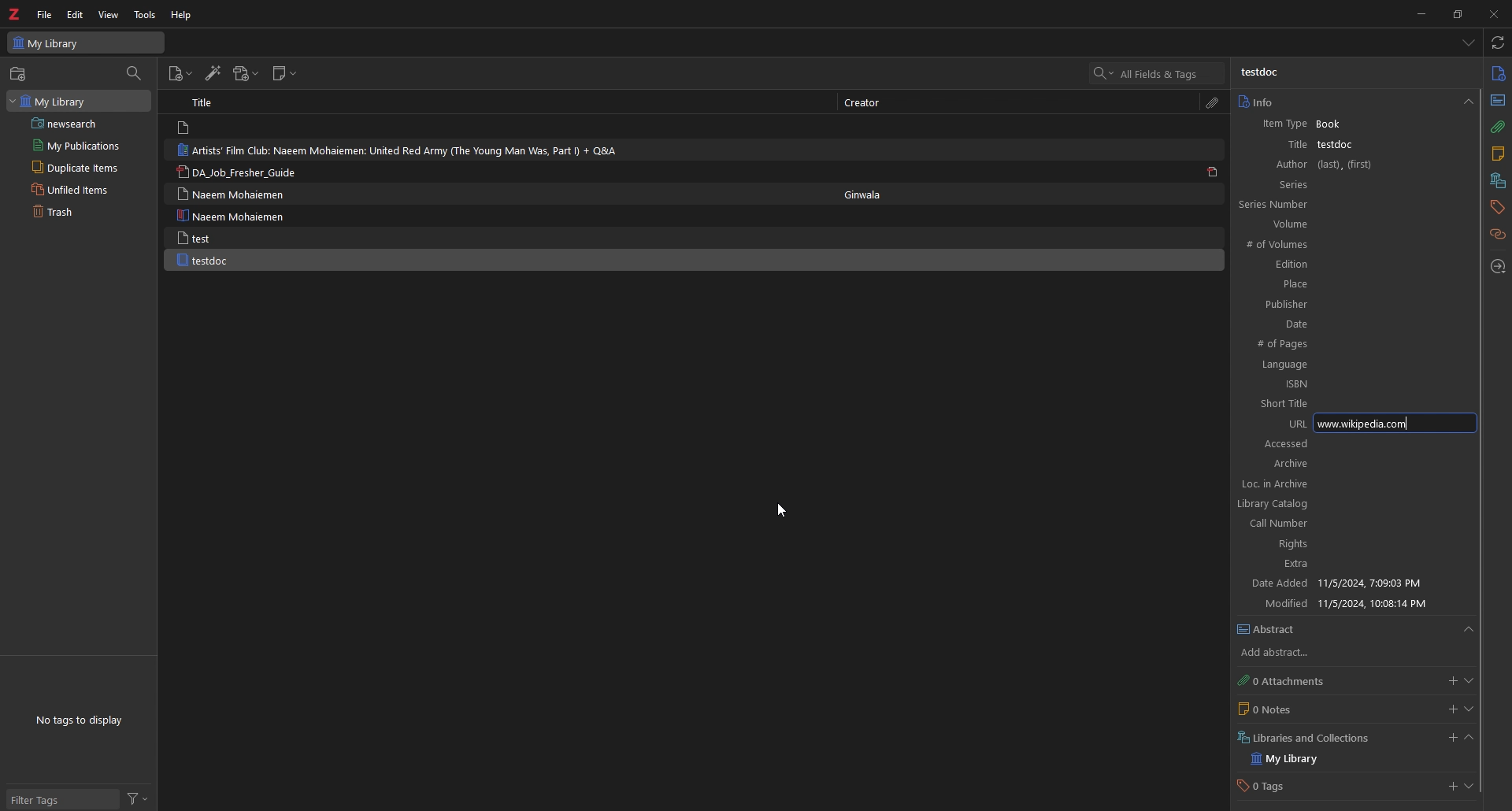 Image resolution: width=1512 pixels, height=811 pixels. What do you see at coordinates (230, 216) in the screenshot?
I see `Naeem Mohaiemen` at bounding box center [230, 216].